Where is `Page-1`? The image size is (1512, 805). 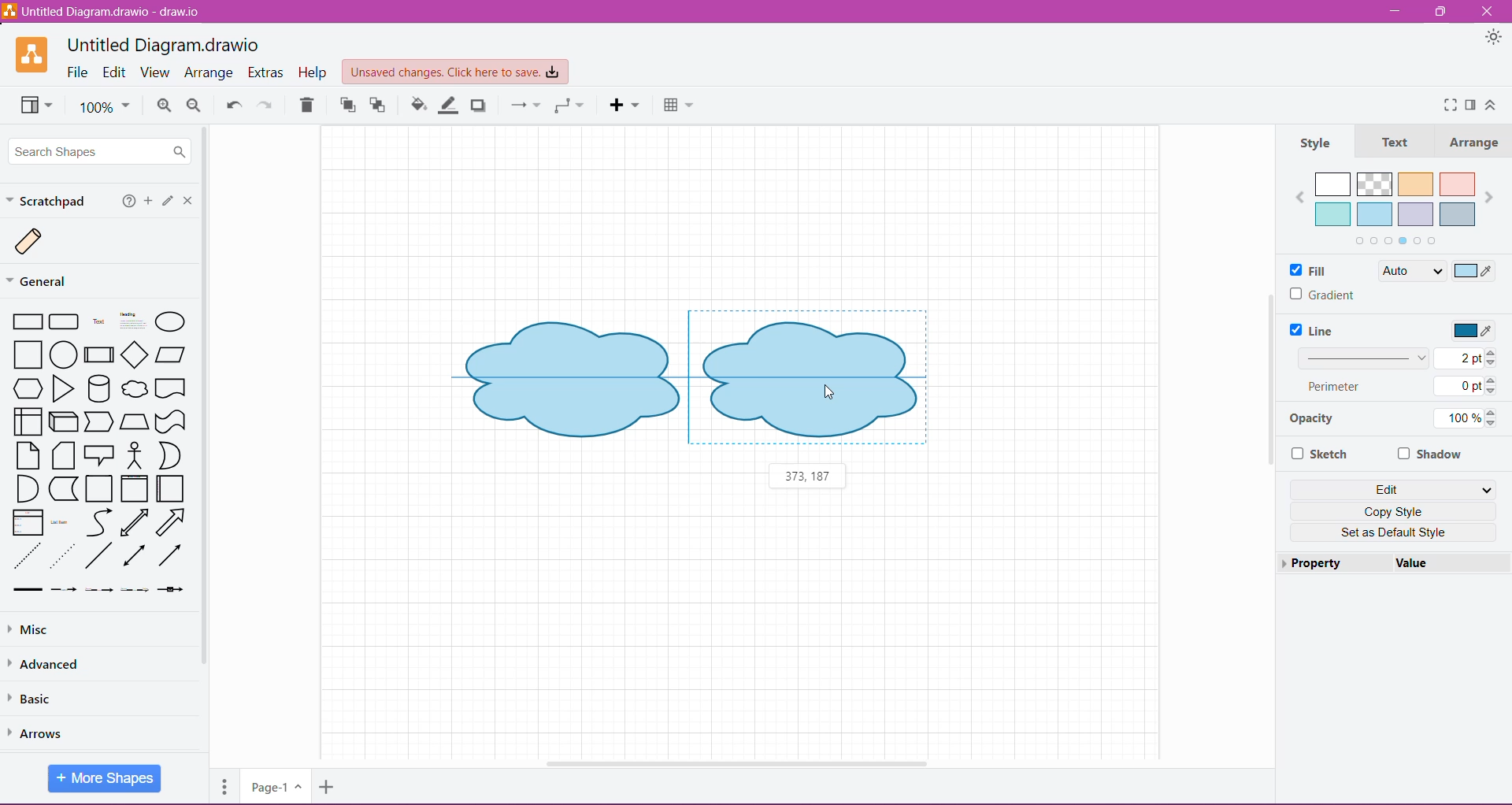 Page-1 is located at coordinates (274, 787).